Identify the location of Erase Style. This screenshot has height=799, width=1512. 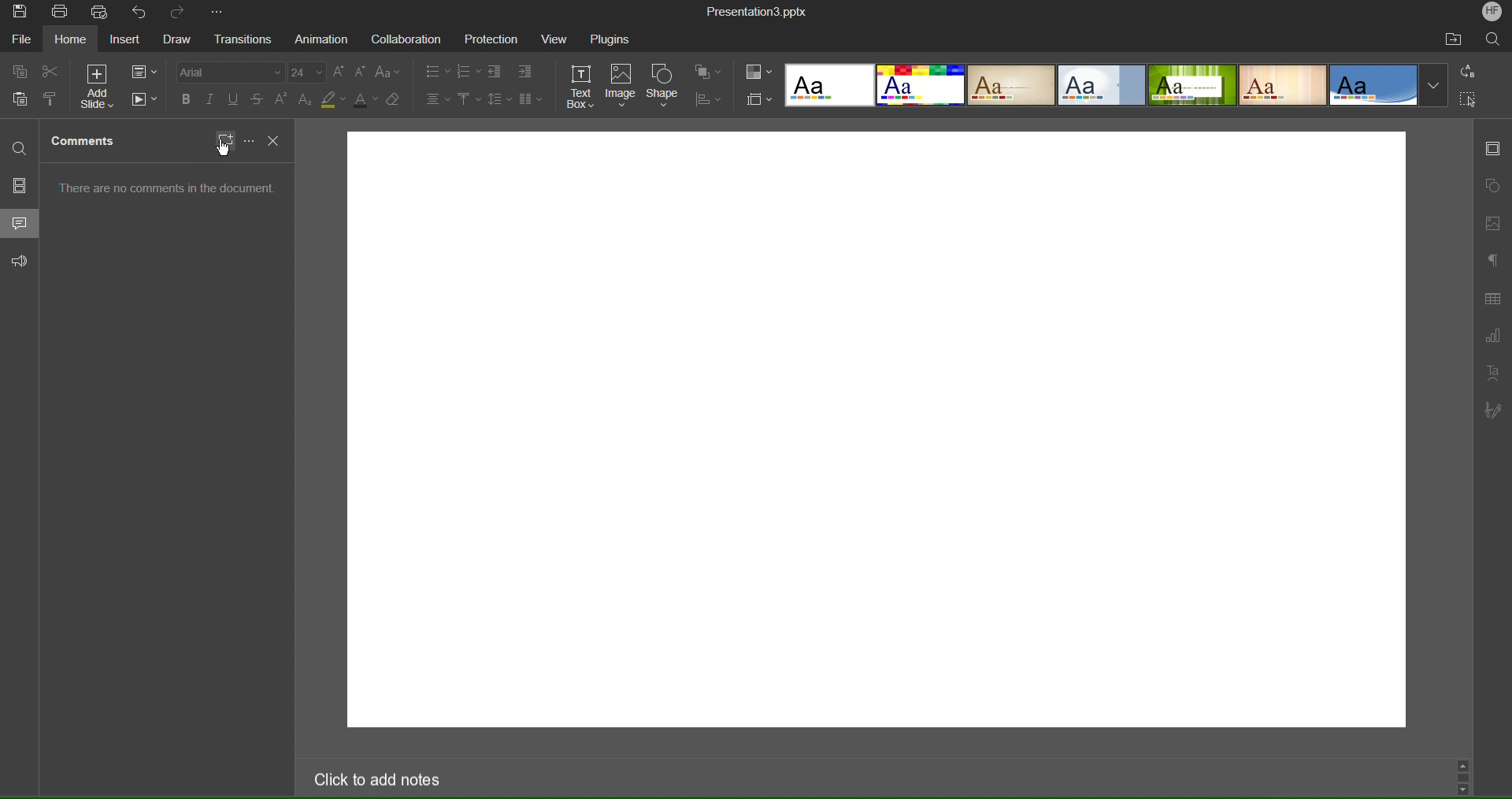
(395, 101).